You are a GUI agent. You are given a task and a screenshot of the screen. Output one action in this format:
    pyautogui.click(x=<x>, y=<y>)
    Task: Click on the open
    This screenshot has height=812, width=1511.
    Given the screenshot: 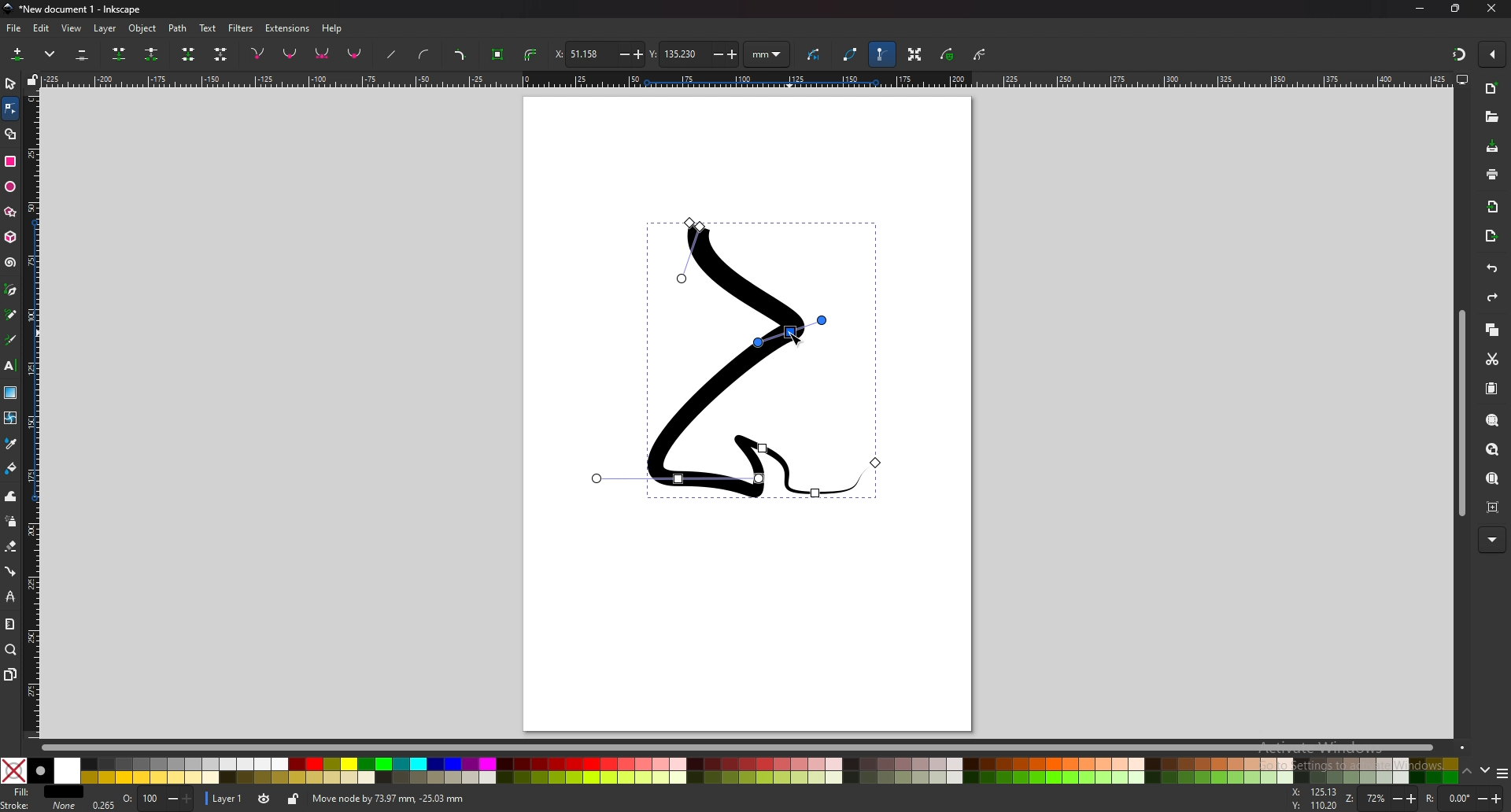 What is the action you would take?
    pyautogui.click(x=1491, y=119)
    